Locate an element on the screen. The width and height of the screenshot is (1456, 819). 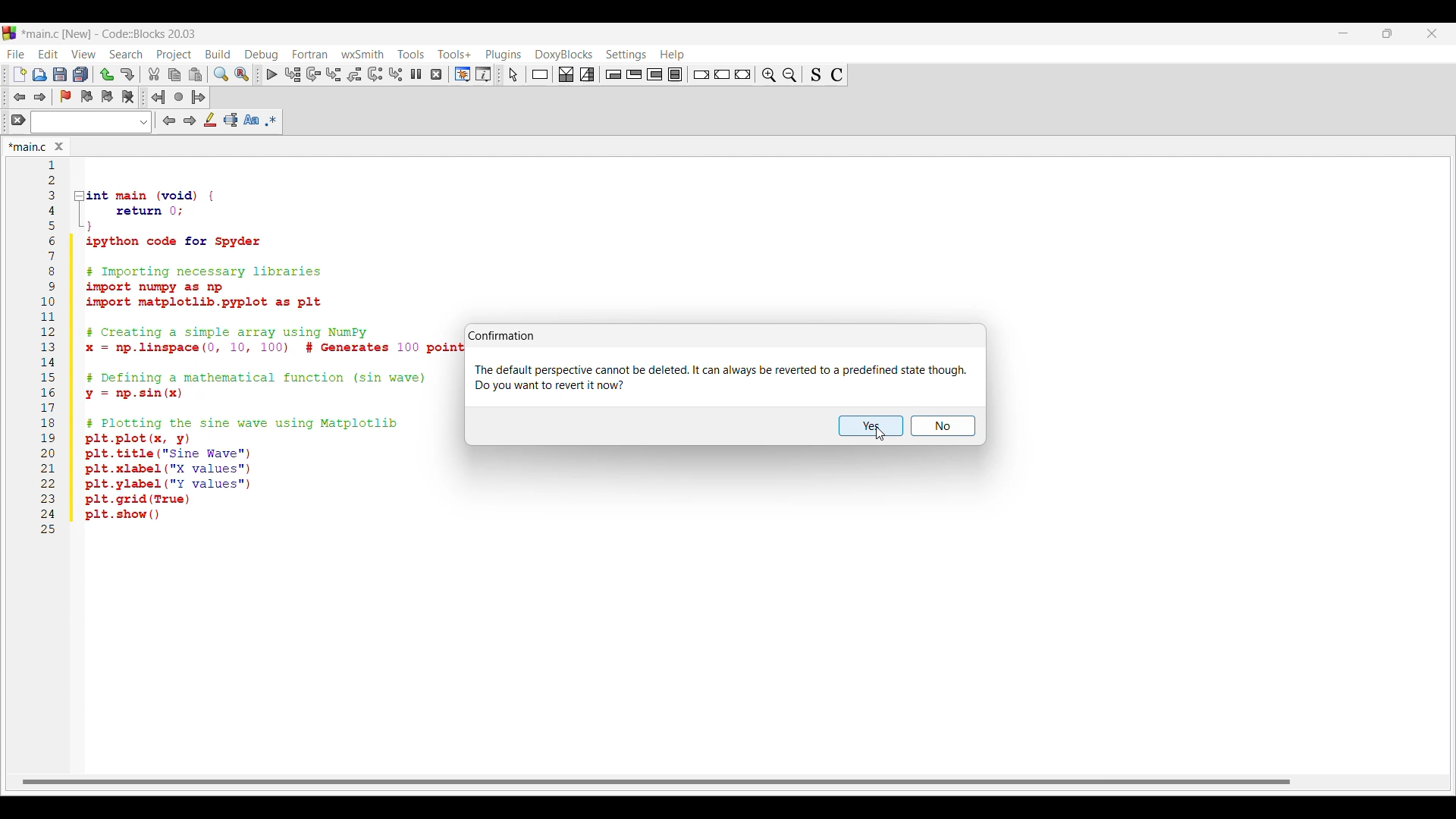
Stop debugger is located at coordinates (436, 74).